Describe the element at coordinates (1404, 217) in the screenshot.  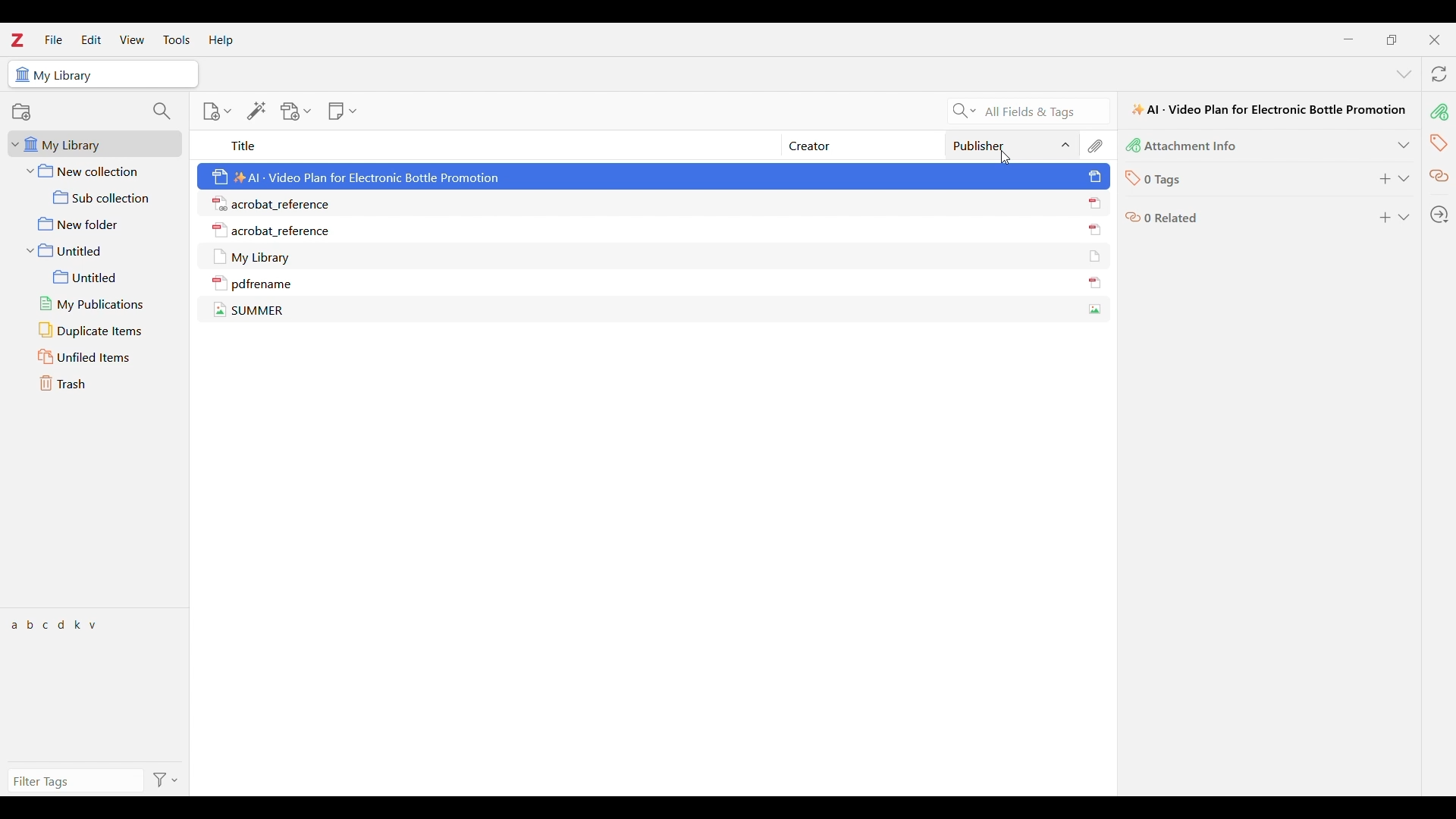
I see `Expand Related` at that location.